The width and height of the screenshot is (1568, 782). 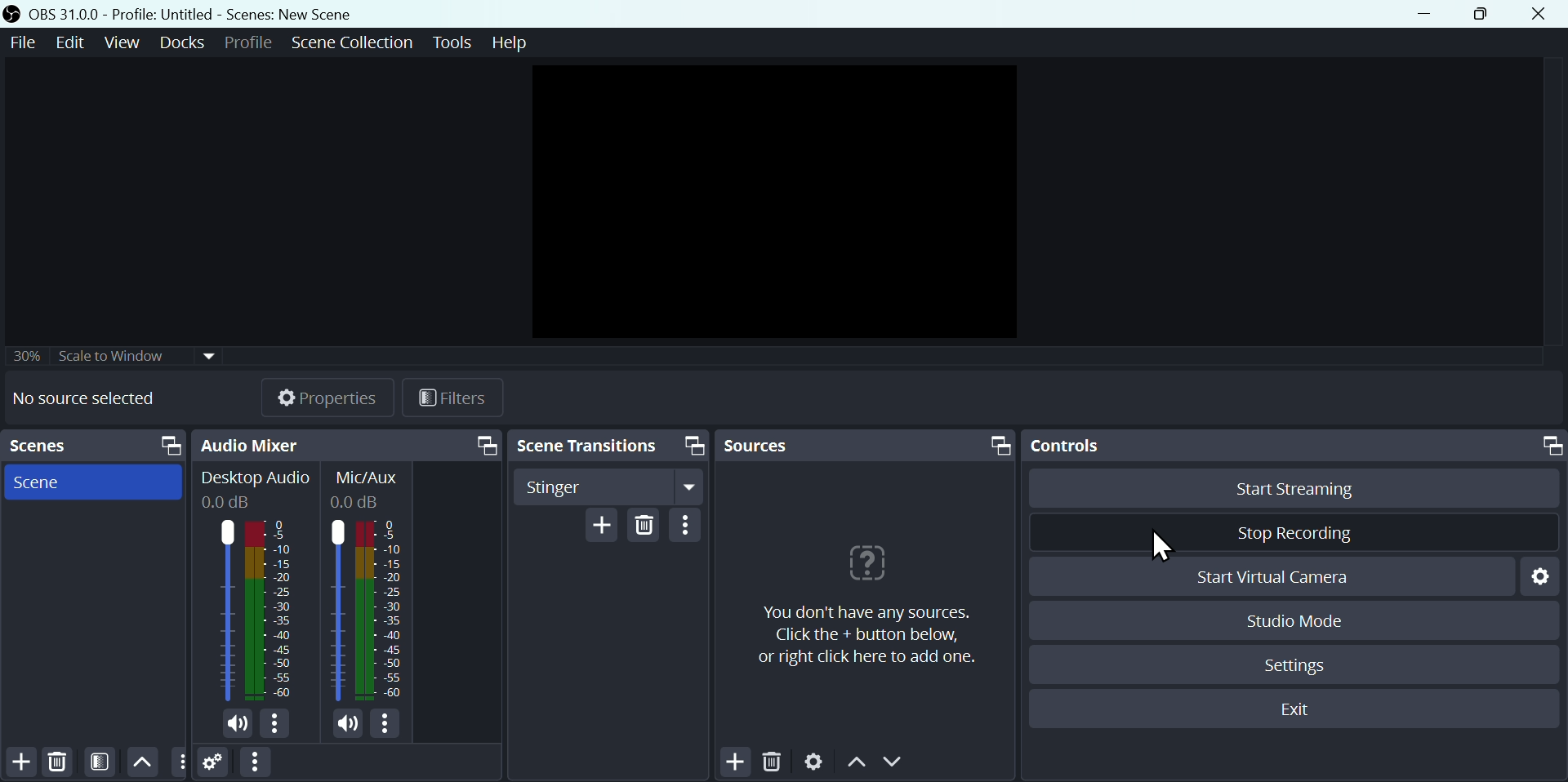 What do you see at coordinates (897, 762) in the screenshot?
I see `down` at bounding box center [897, 762].